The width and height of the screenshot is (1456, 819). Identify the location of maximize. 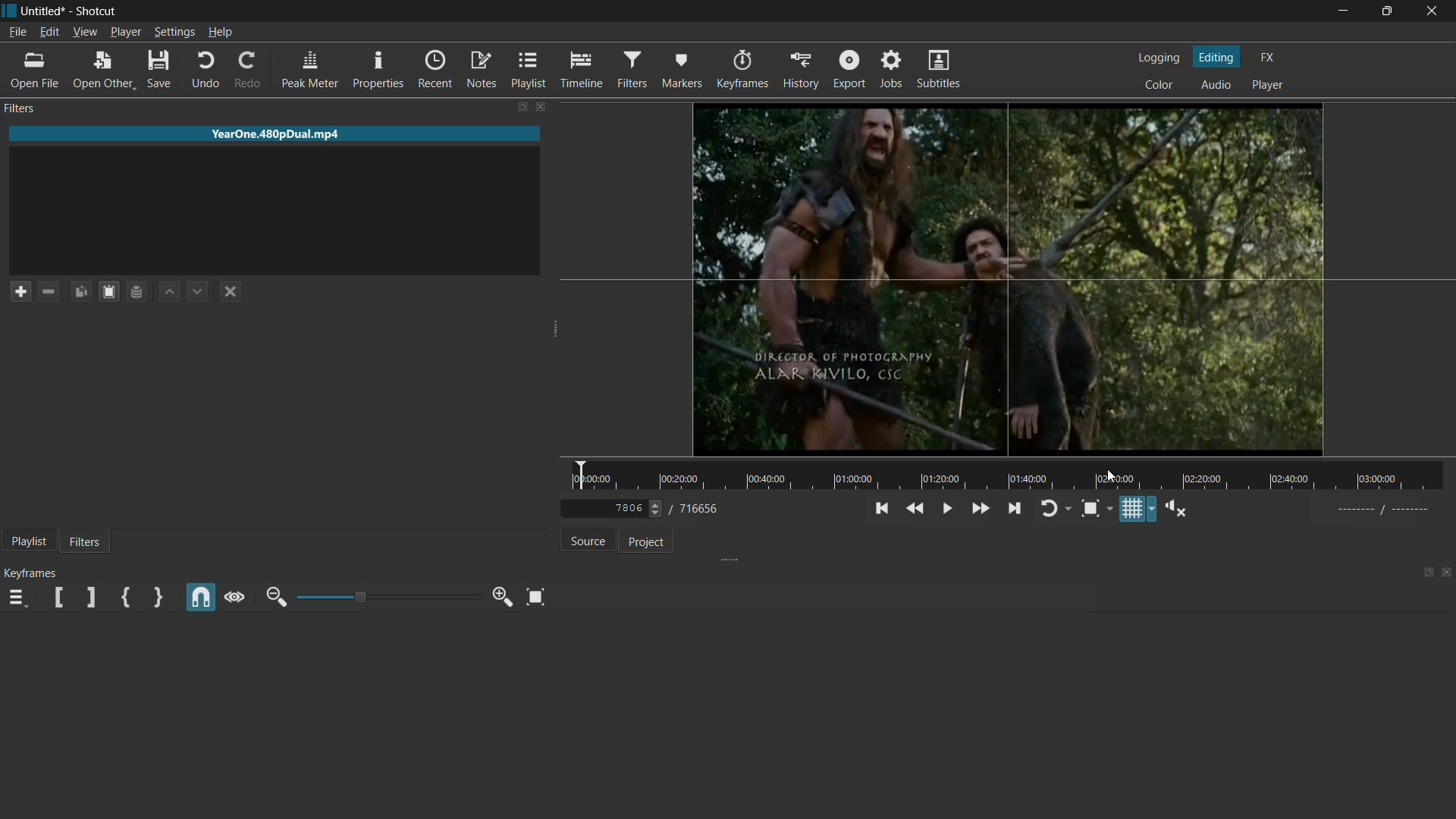
(1391, 10).